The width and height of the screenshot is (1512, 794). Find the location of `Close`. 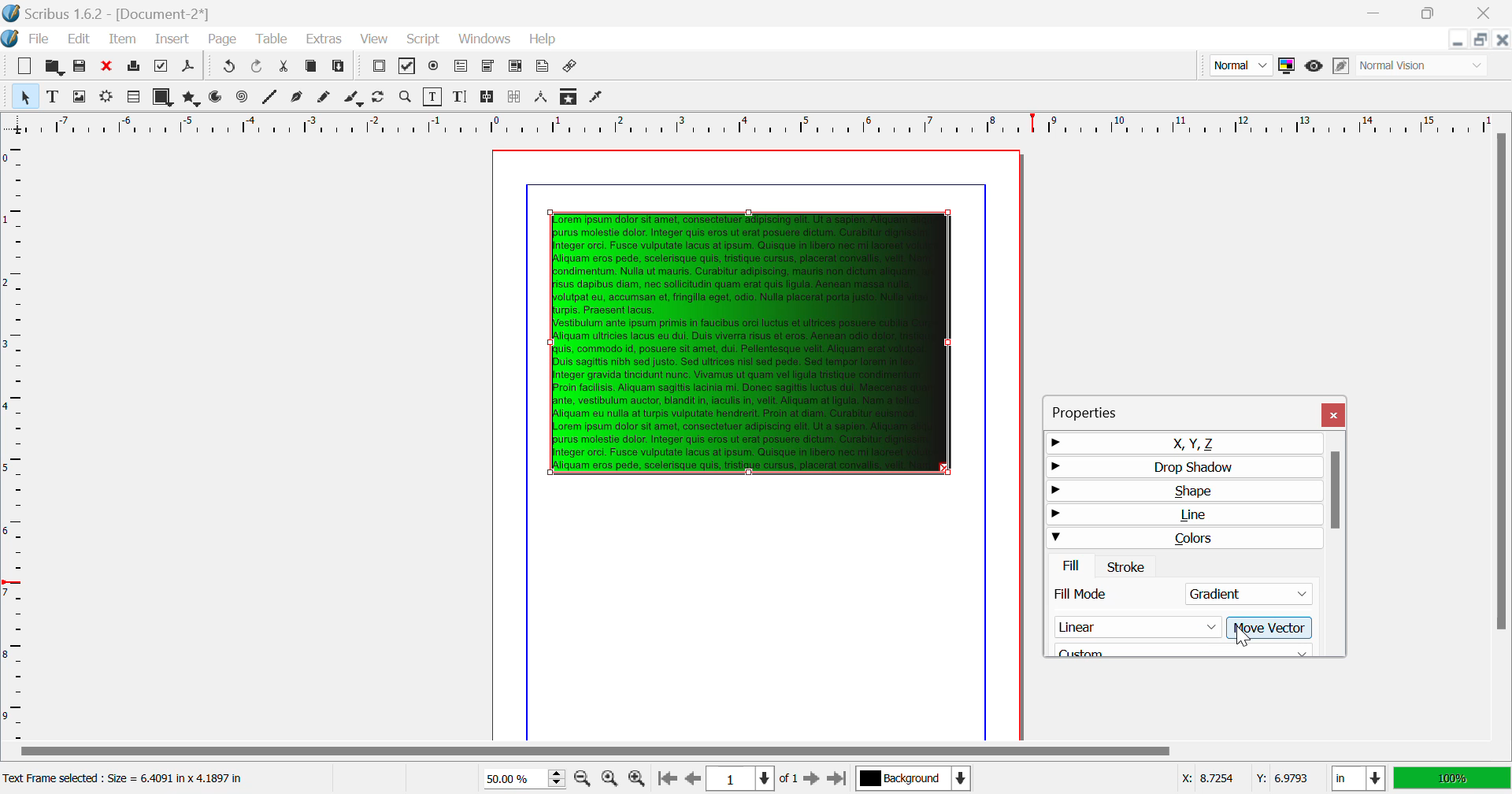

Close is located at coordinates (1503, 39).